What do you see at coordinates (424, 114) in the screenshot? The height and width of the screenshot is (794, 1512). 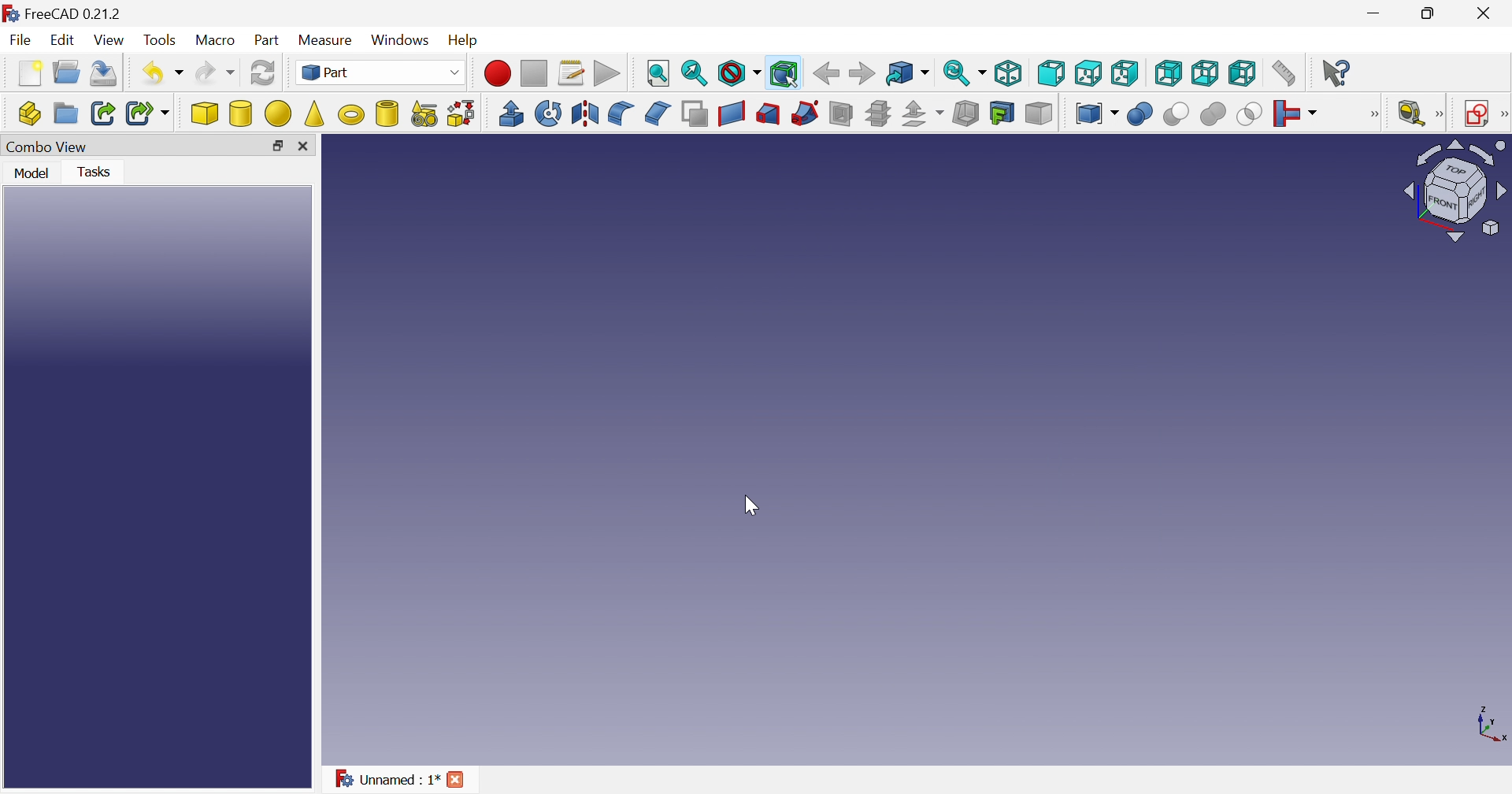 I see `Create primitives...` at bounding box center [424, 114].